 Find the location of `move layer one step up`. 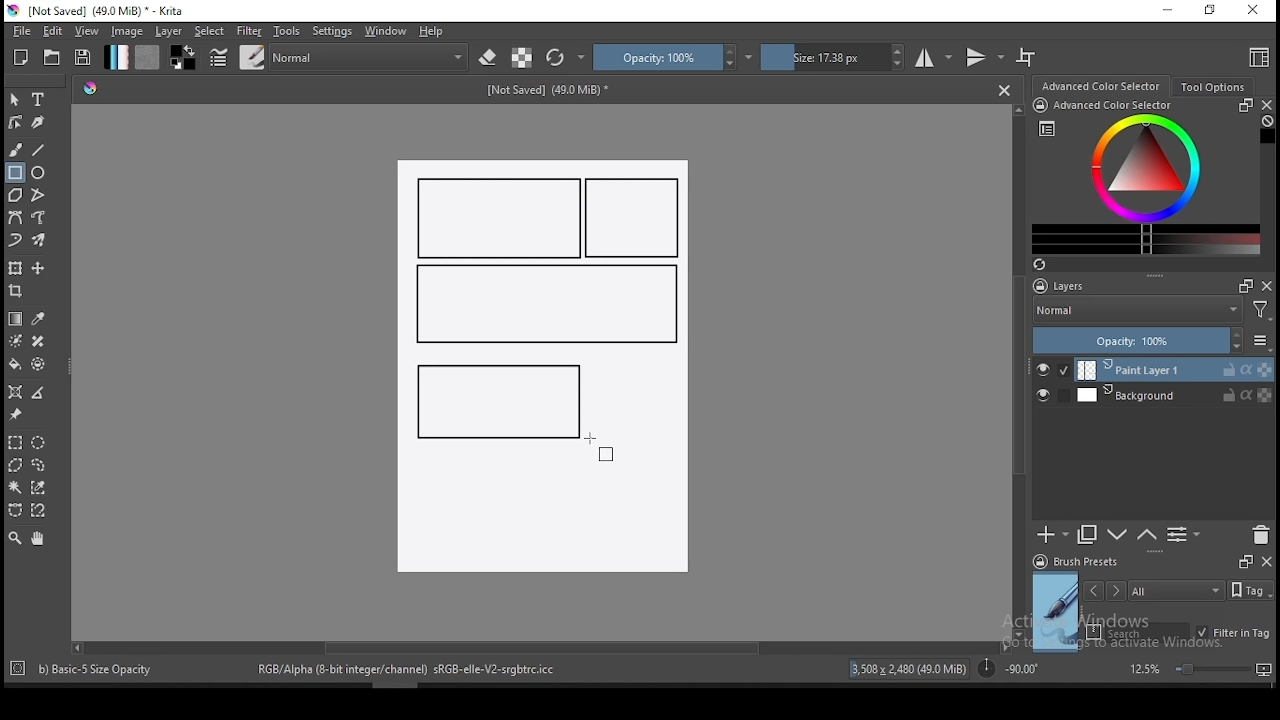

move layer one step up is located at coordinates (1118, 537).